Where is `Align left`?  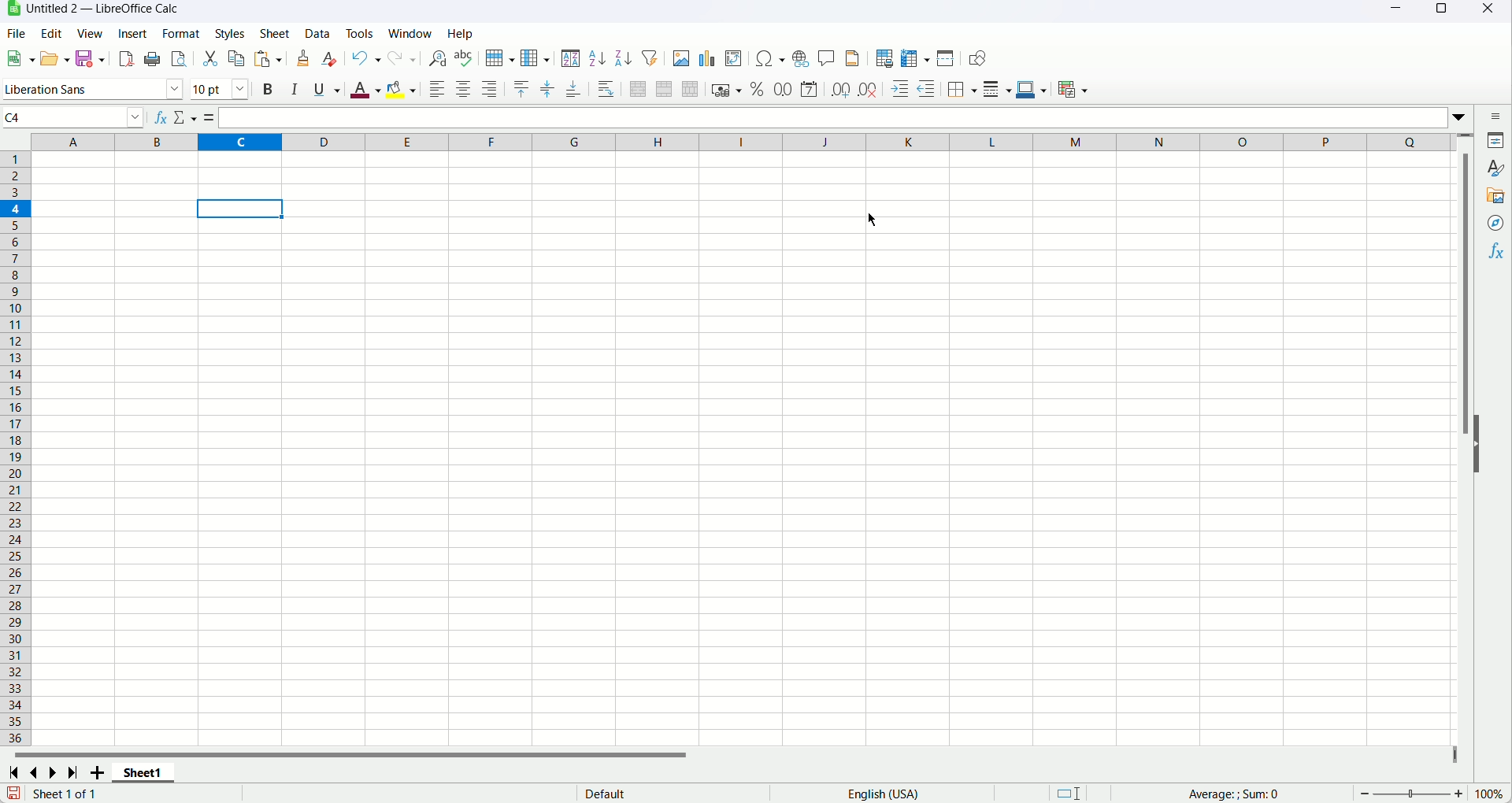 Align left is located at coordinates (437, 89).